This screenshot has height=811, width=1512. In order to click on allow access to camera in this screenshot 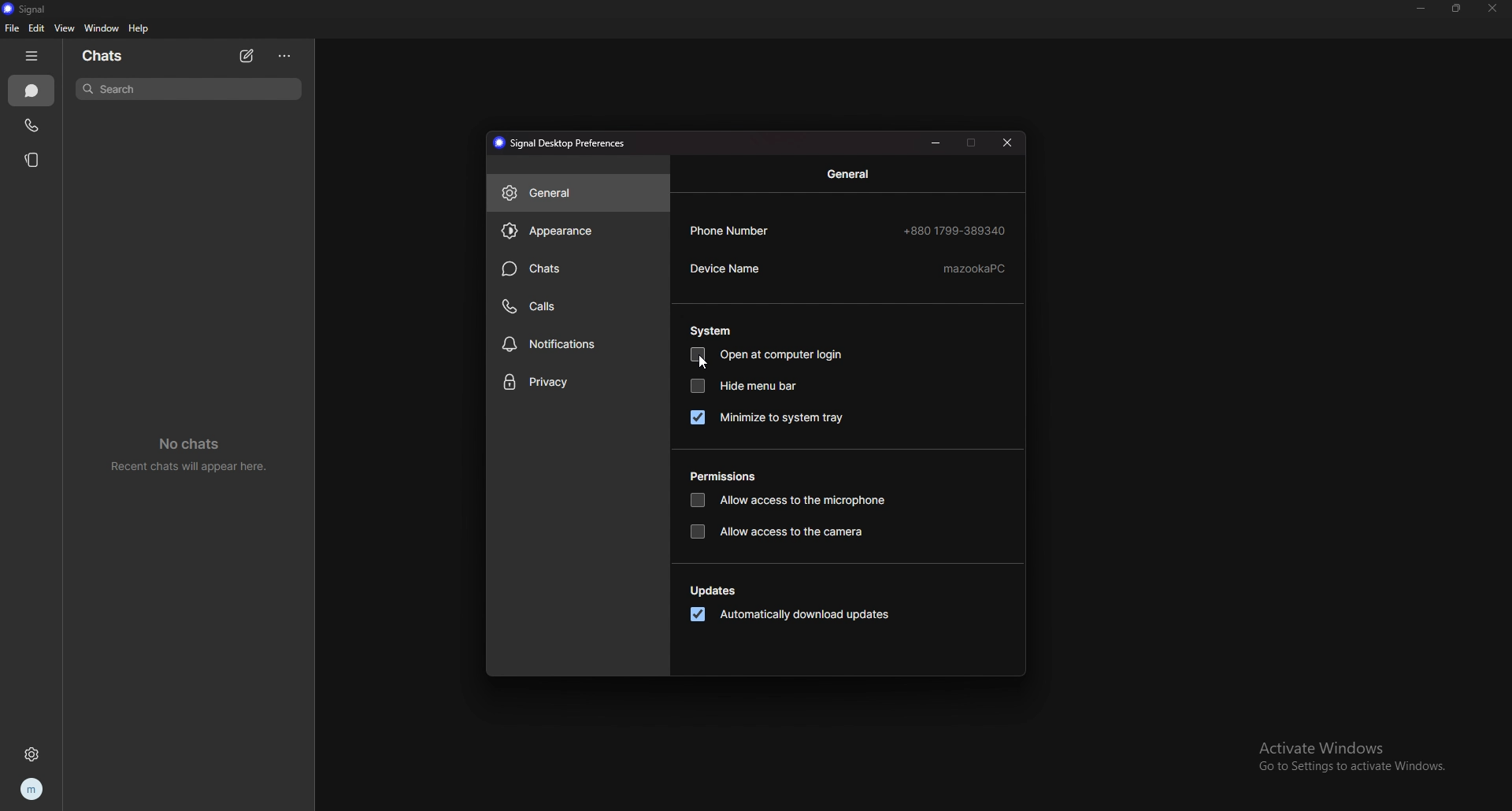, I will do `click(781, 532)`.